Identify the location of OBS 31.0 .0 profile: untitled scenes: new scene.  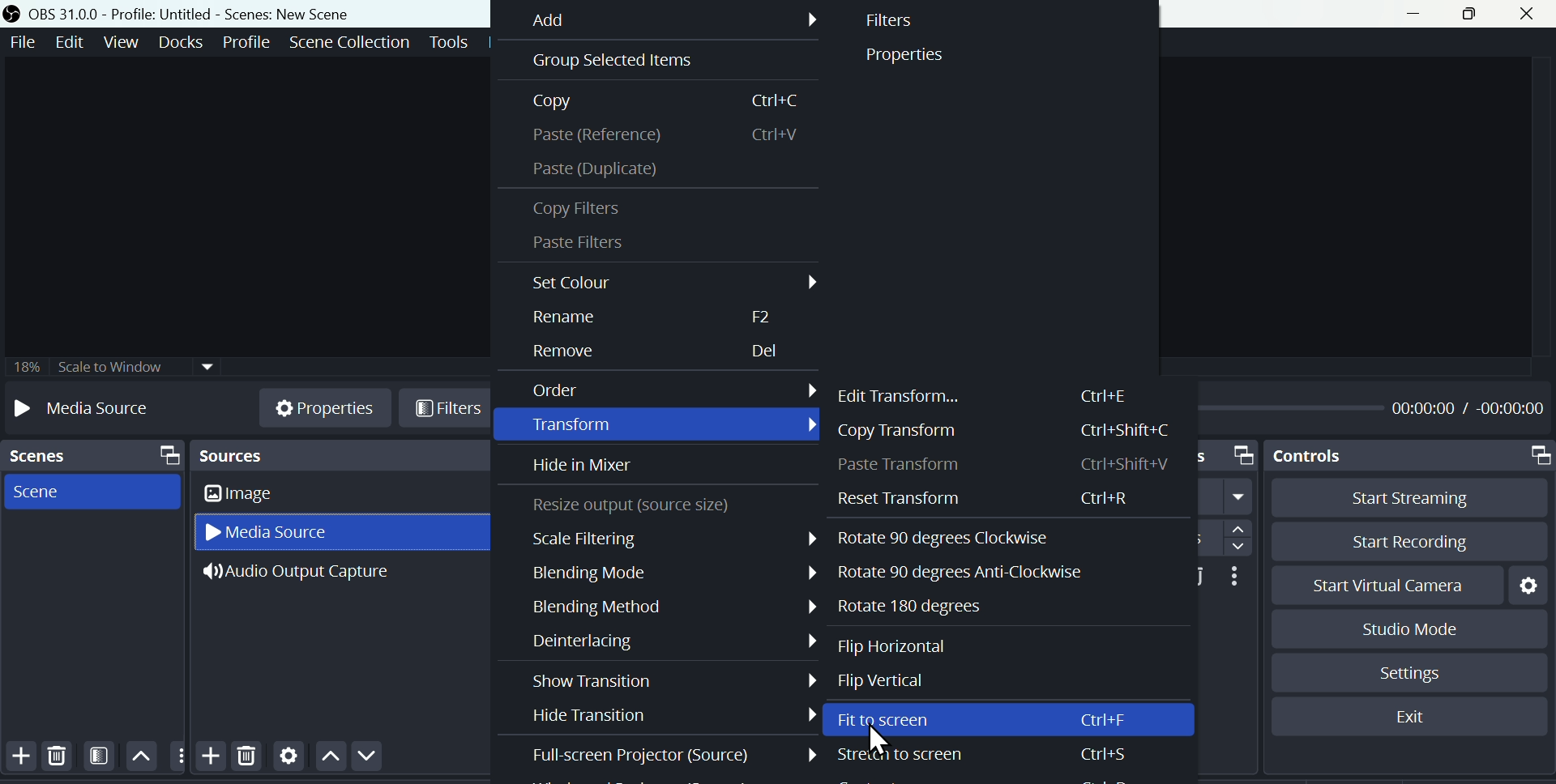
(194, 12).